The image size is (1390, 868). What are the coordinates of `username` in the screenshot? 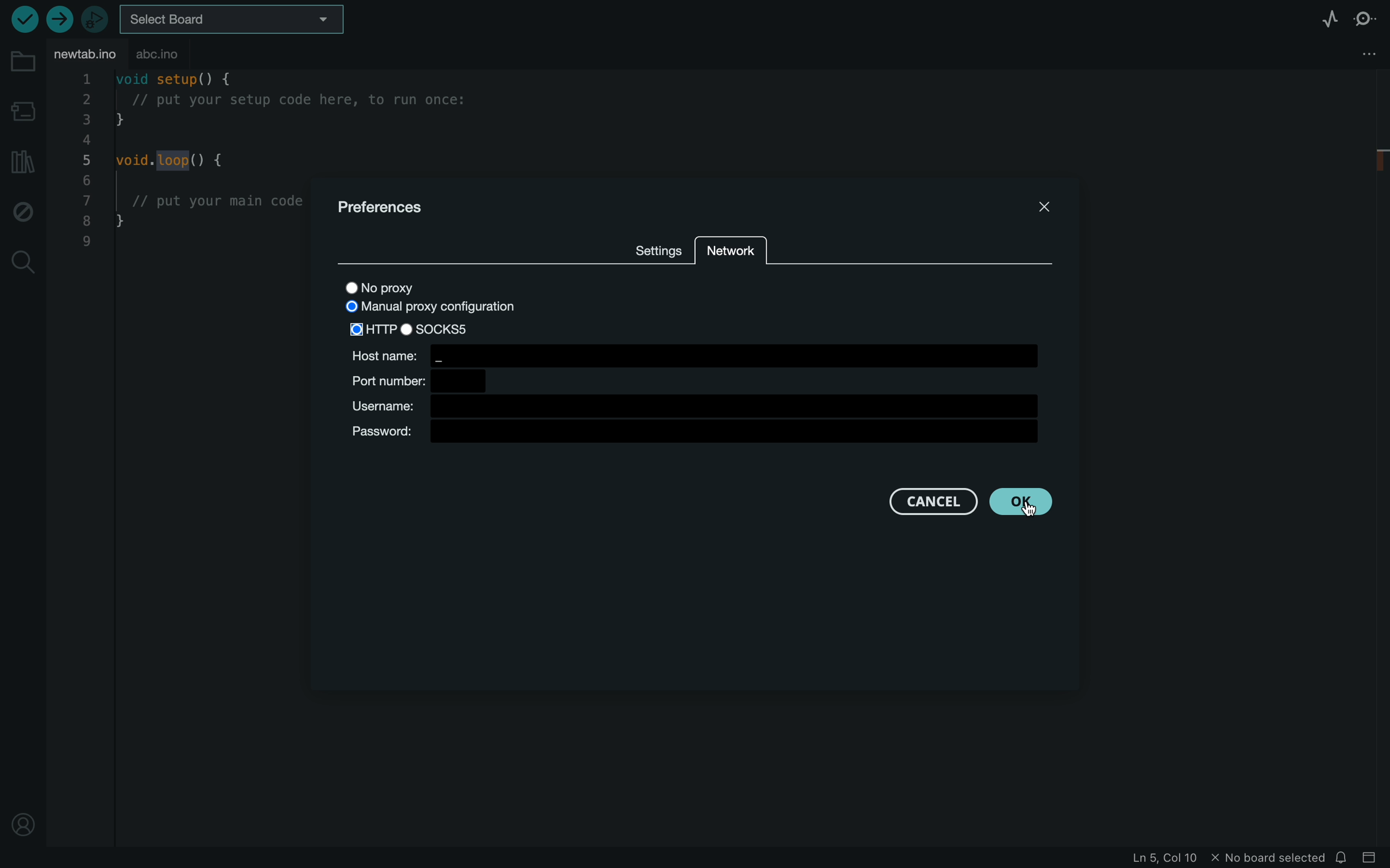 It's located at (699, 406).